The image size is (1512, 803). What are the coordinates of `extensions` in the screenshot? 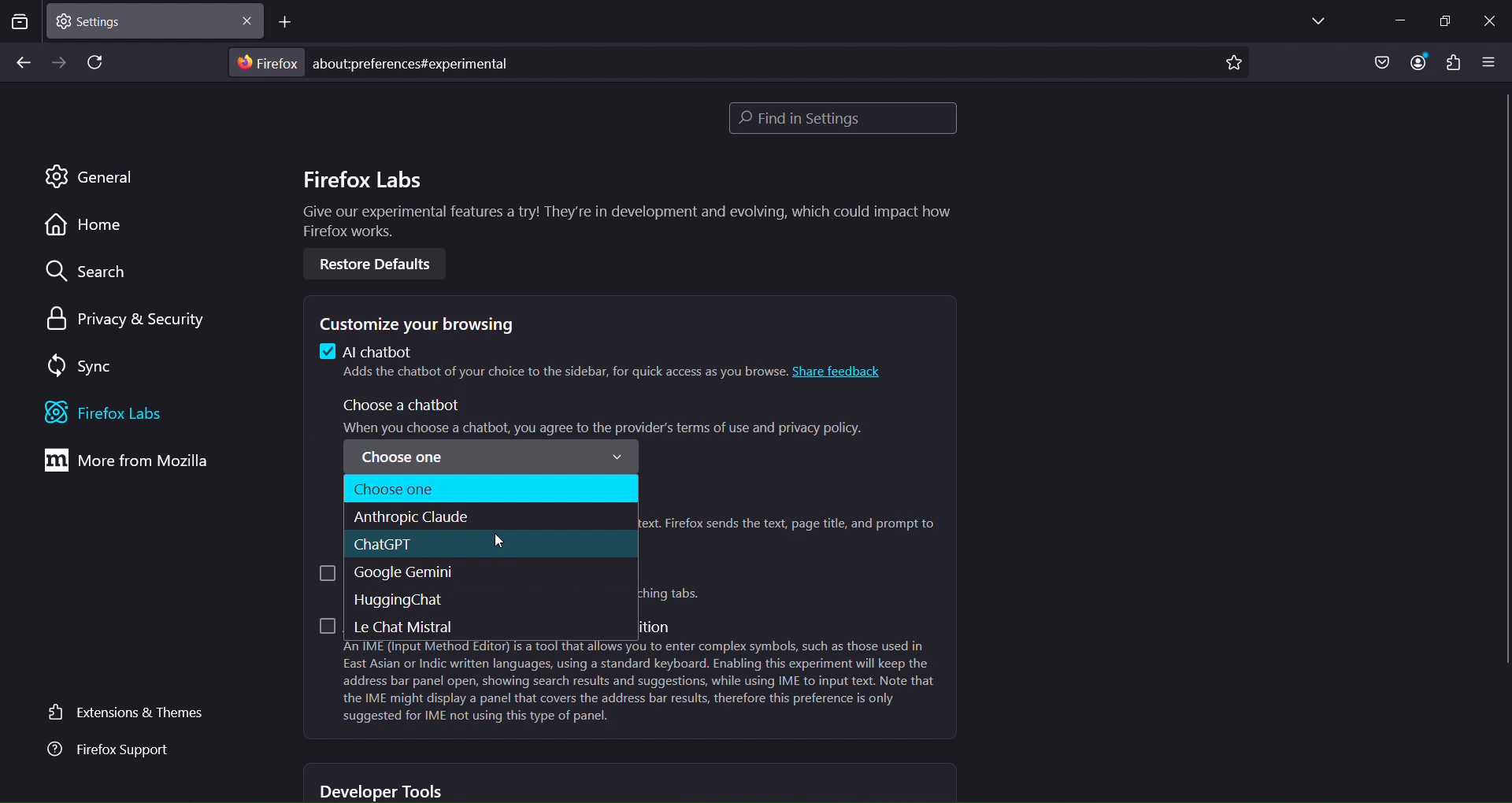 It's located at (1453, 65).